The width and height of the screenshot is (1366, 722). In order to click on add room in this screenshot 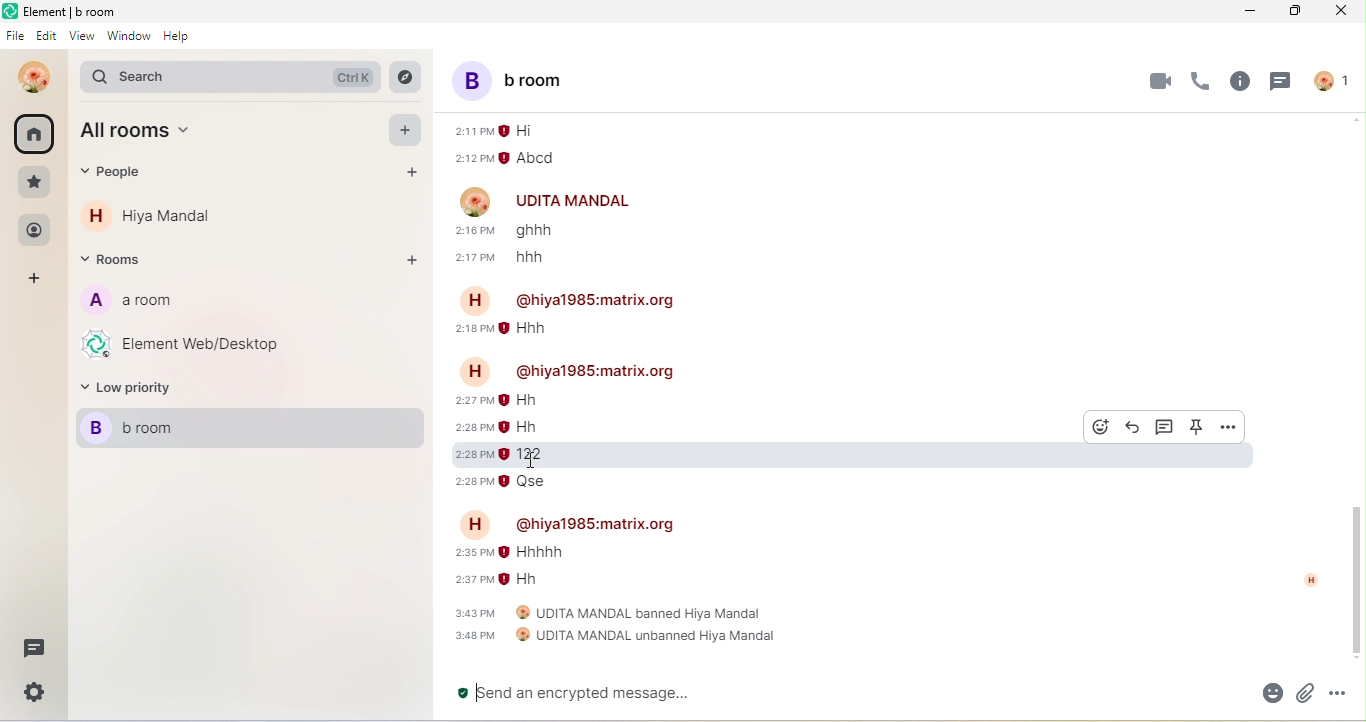, I will do `click(413, 262)`.